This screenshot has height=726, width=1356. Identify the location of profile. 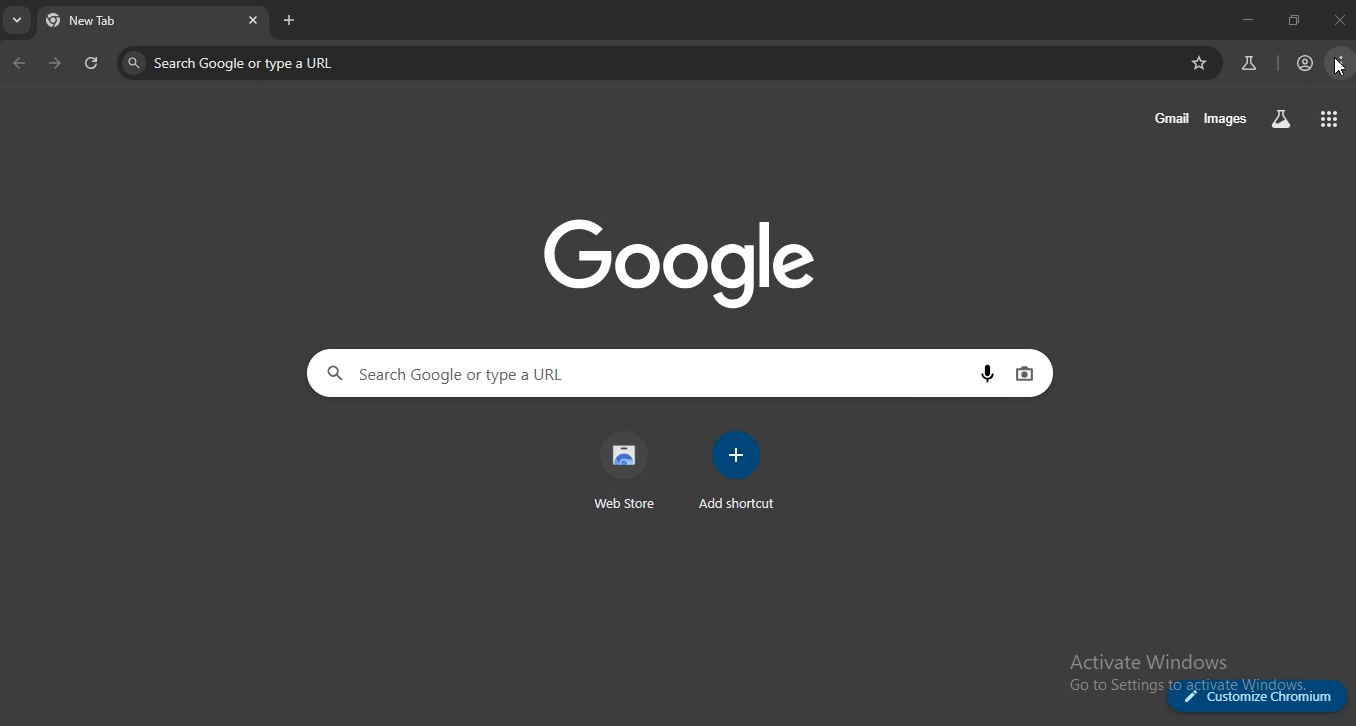
(1305, 64).